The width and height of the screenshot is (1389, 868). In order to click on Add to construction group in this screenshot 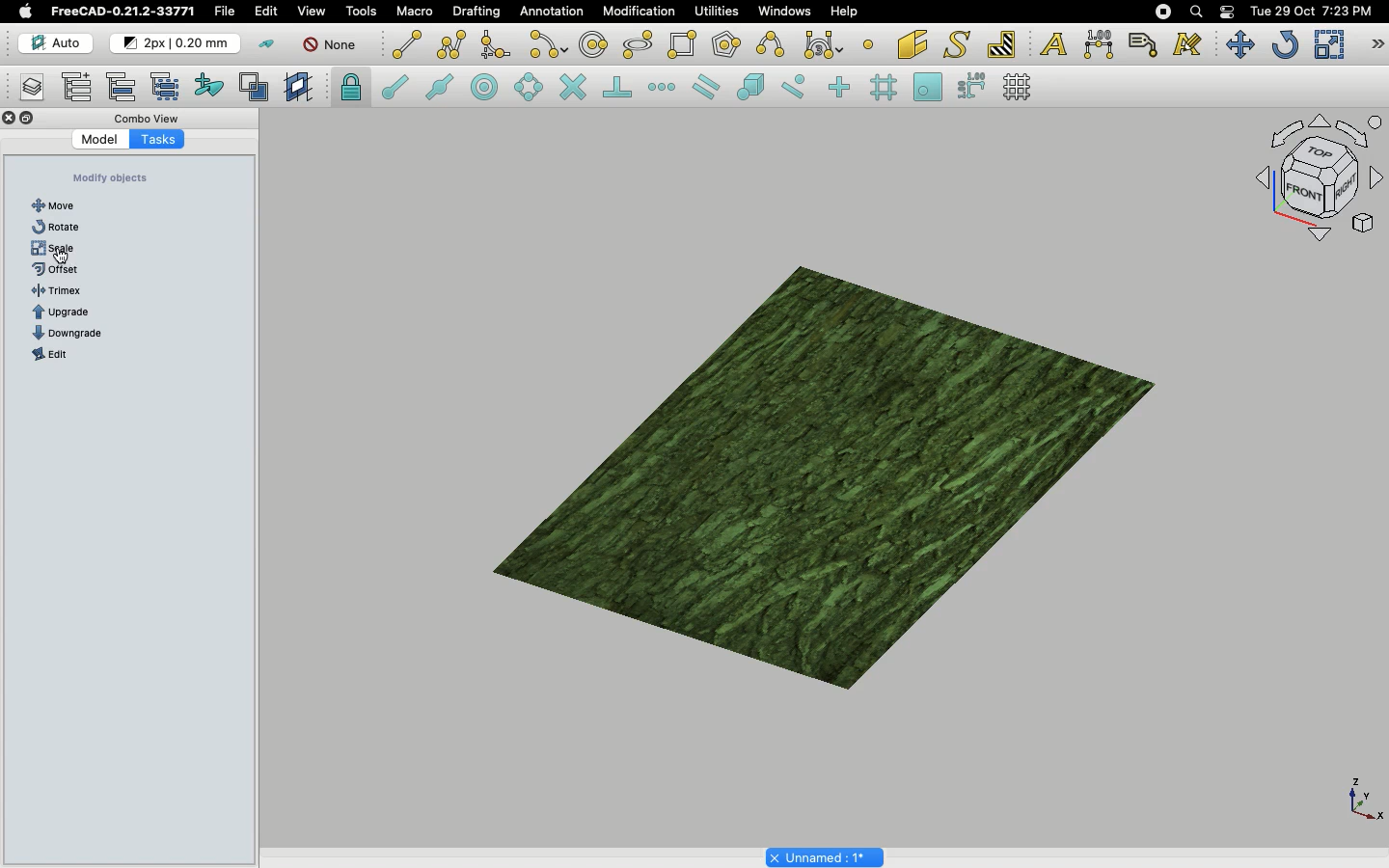, I will do `click(210, 89)`.